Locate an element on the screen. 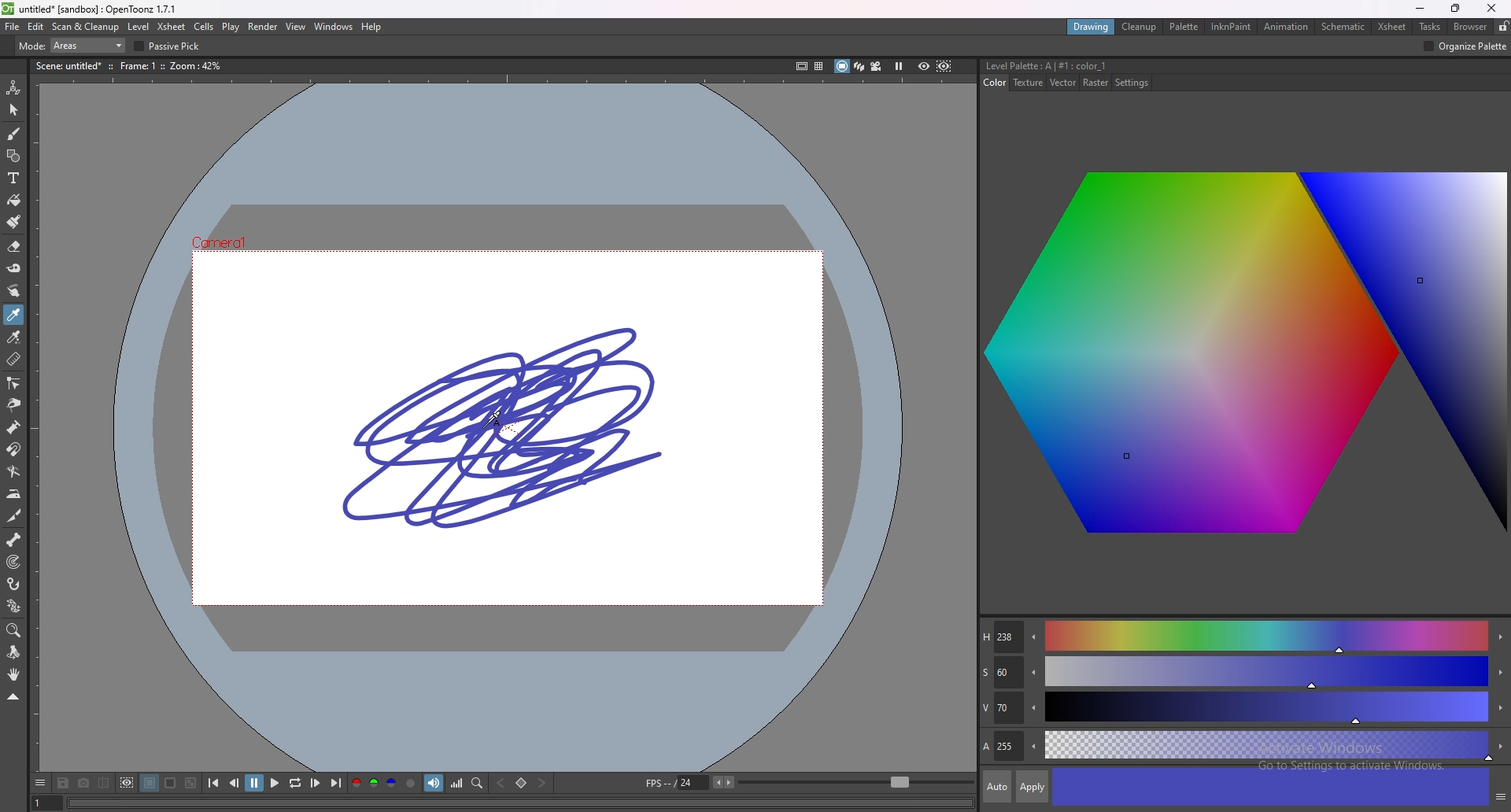 This screenshot has width=1511, height=812. hook tool is located at coordinates (14, 583).